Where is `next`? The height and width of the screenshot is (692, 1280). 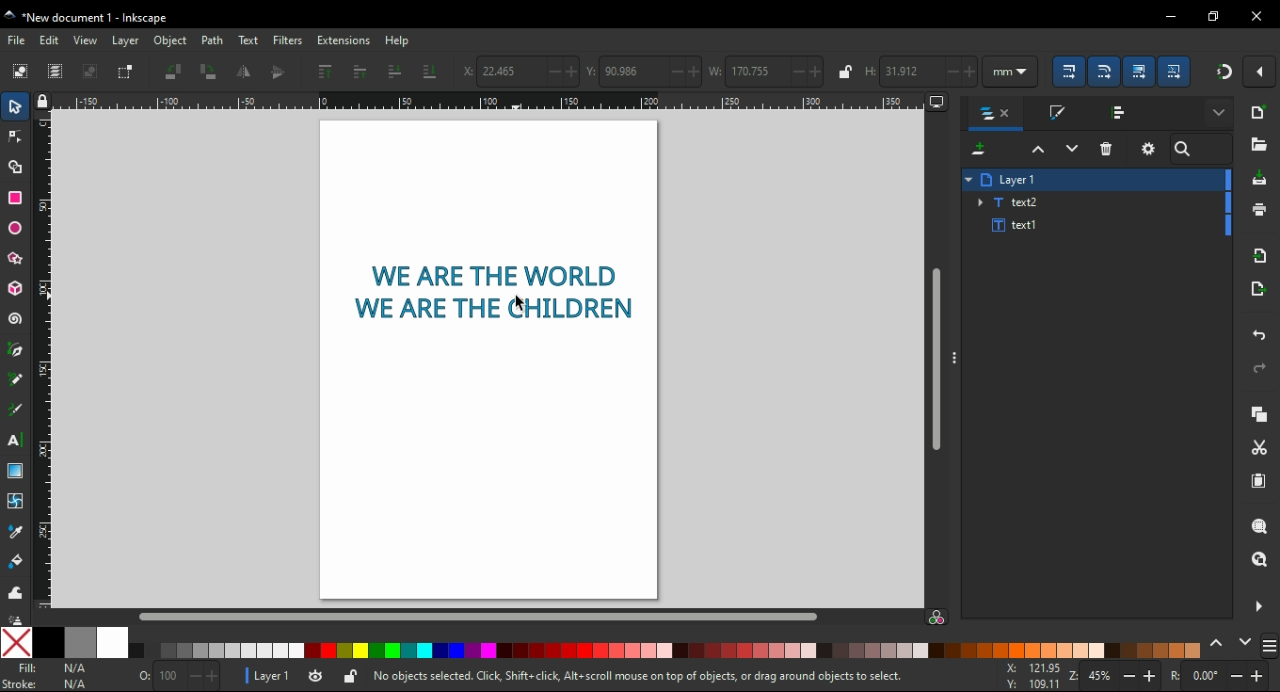
next is located at coordinates (1245, 646).